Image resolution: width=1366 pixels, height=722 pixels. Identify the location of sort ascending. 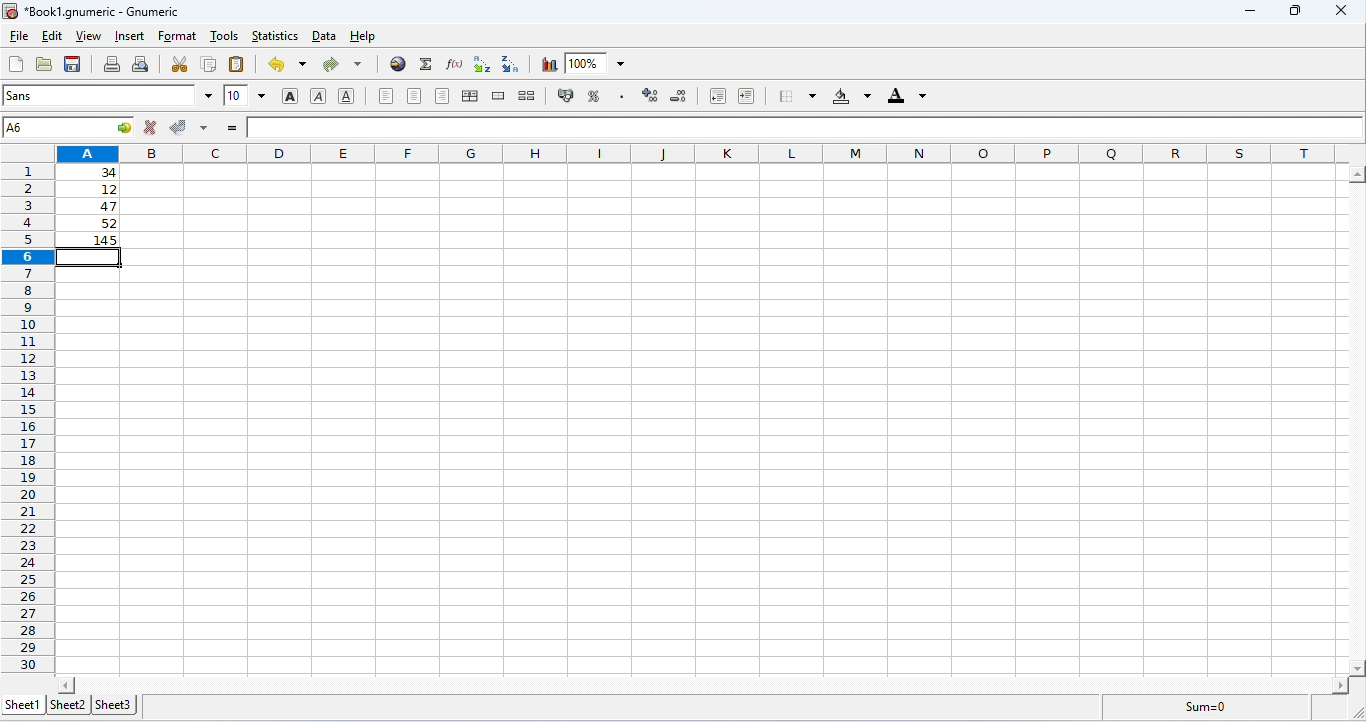
(482, 64).